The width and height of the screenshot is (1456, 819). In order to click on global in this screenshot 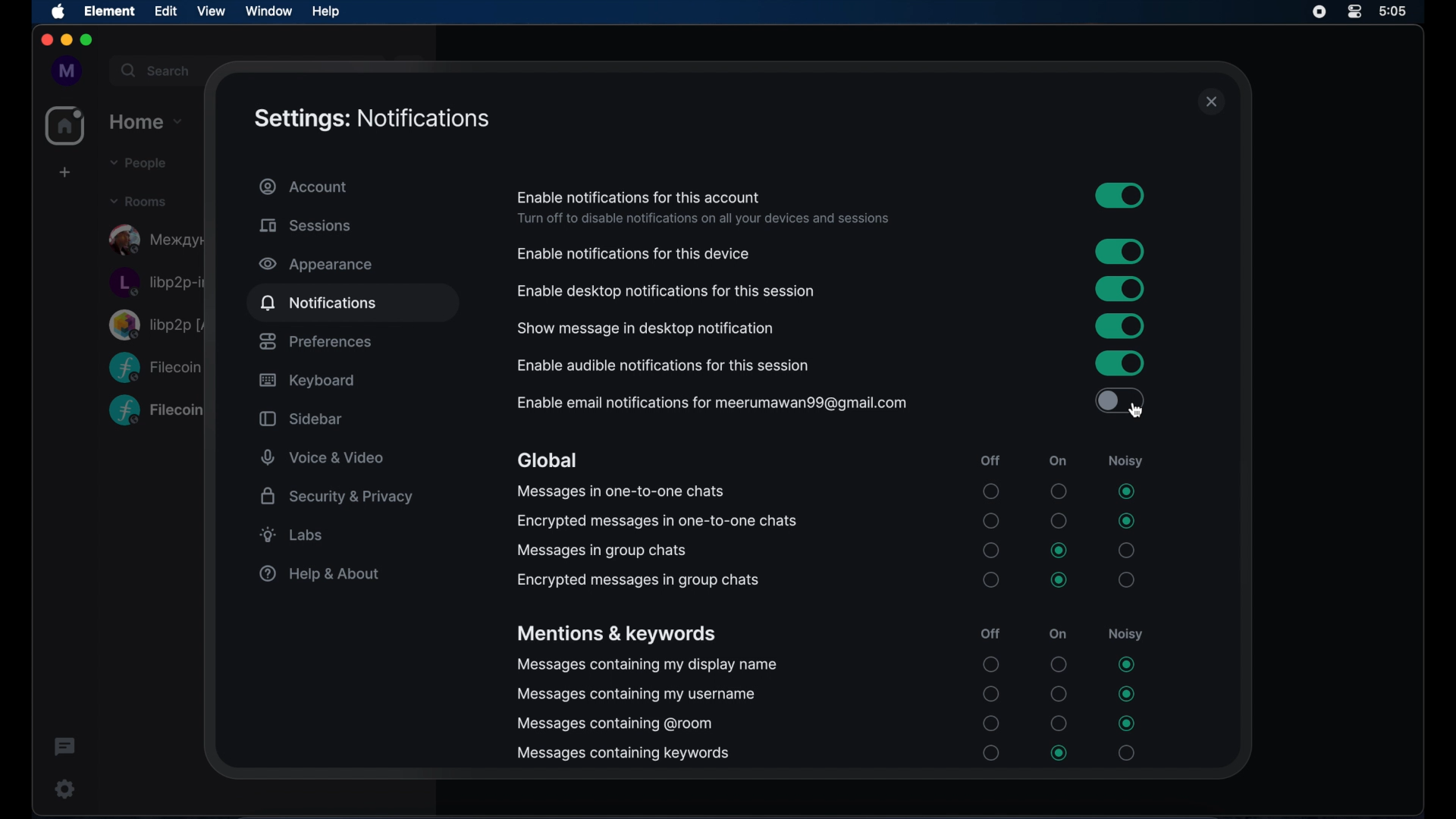, I will do `click(547, 461)`.